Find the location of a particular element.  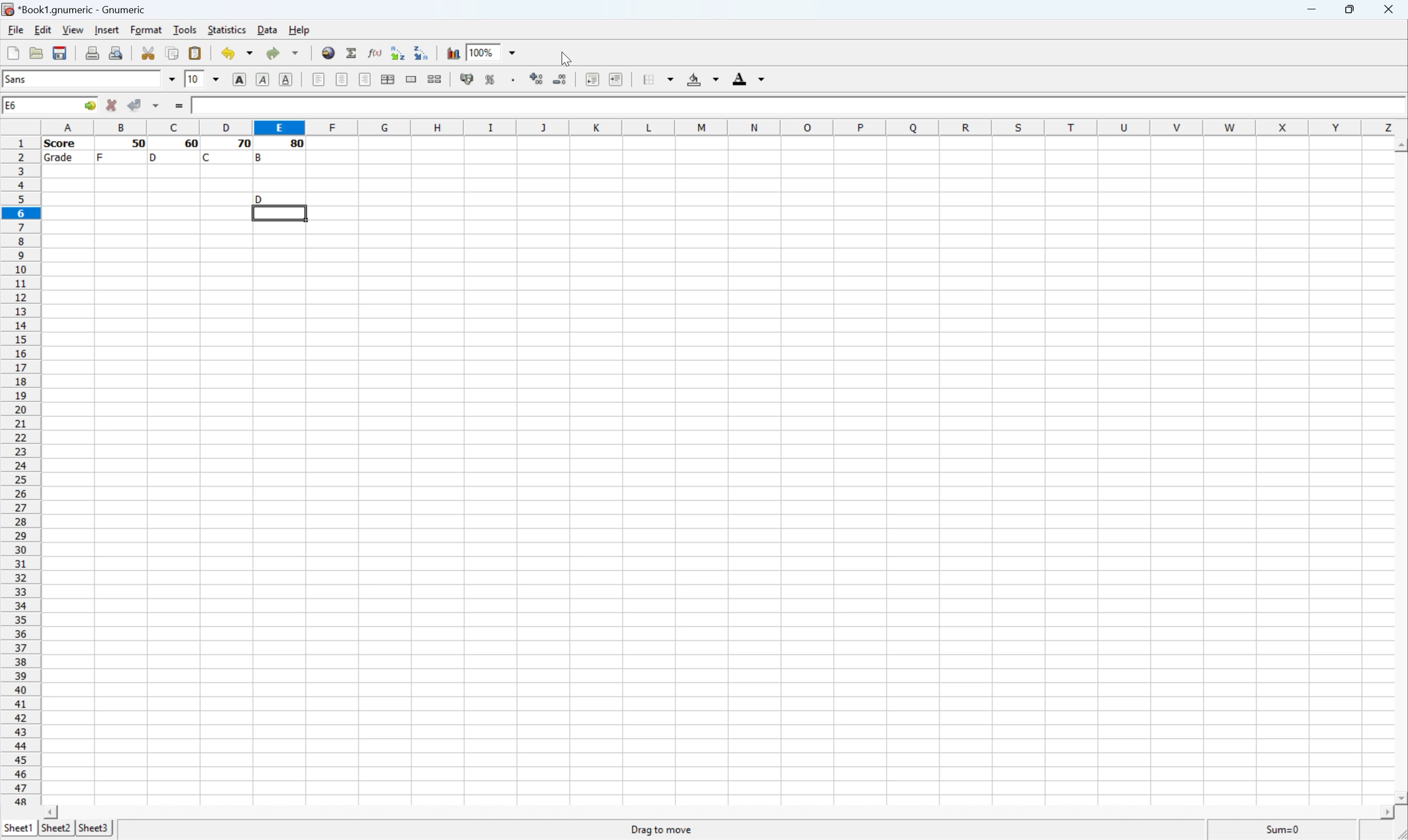

Italic is located at coordinates (260, 80).